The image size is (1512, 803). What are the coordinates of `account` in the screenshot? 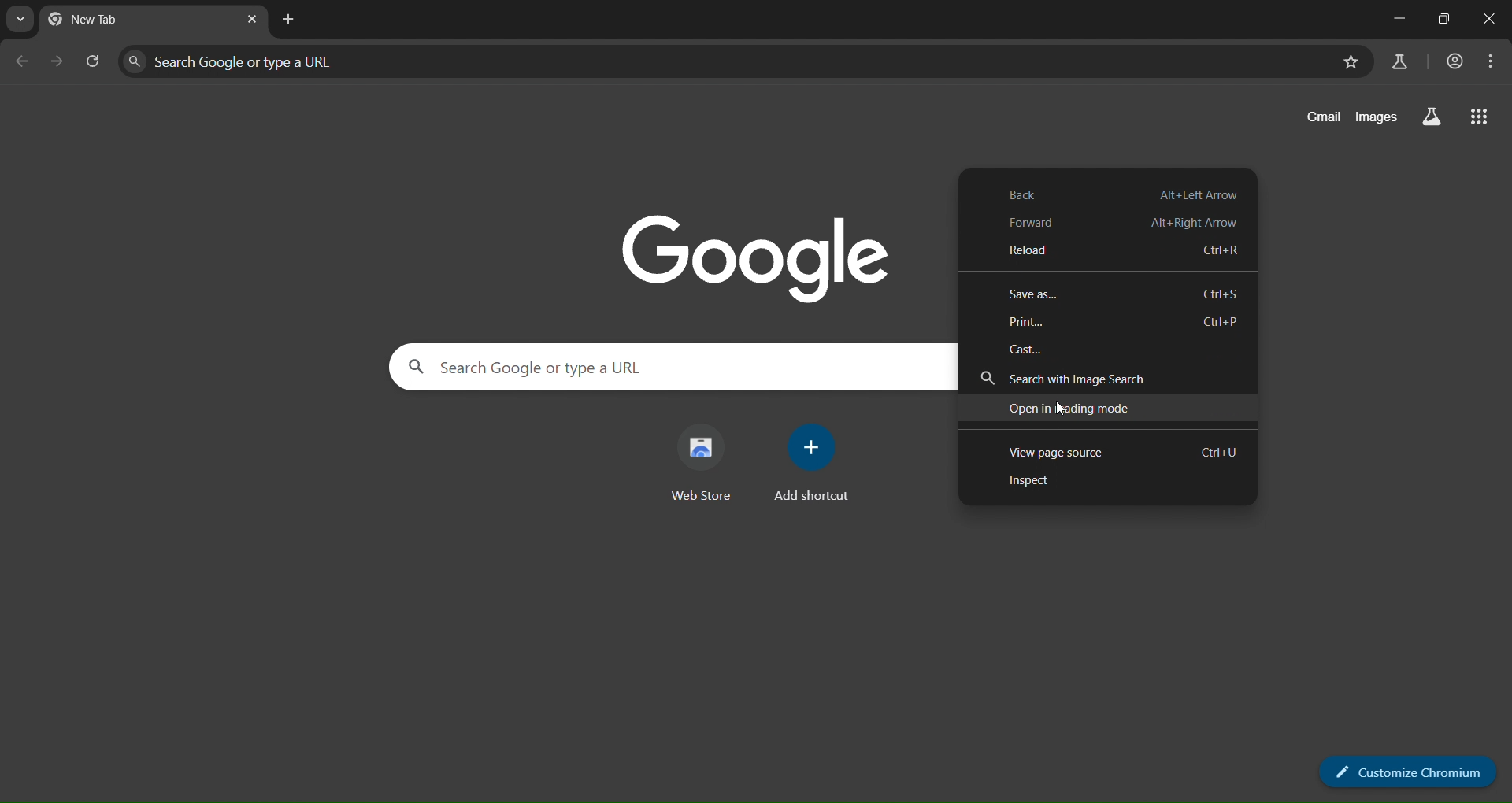 It's located at (1451, 62).